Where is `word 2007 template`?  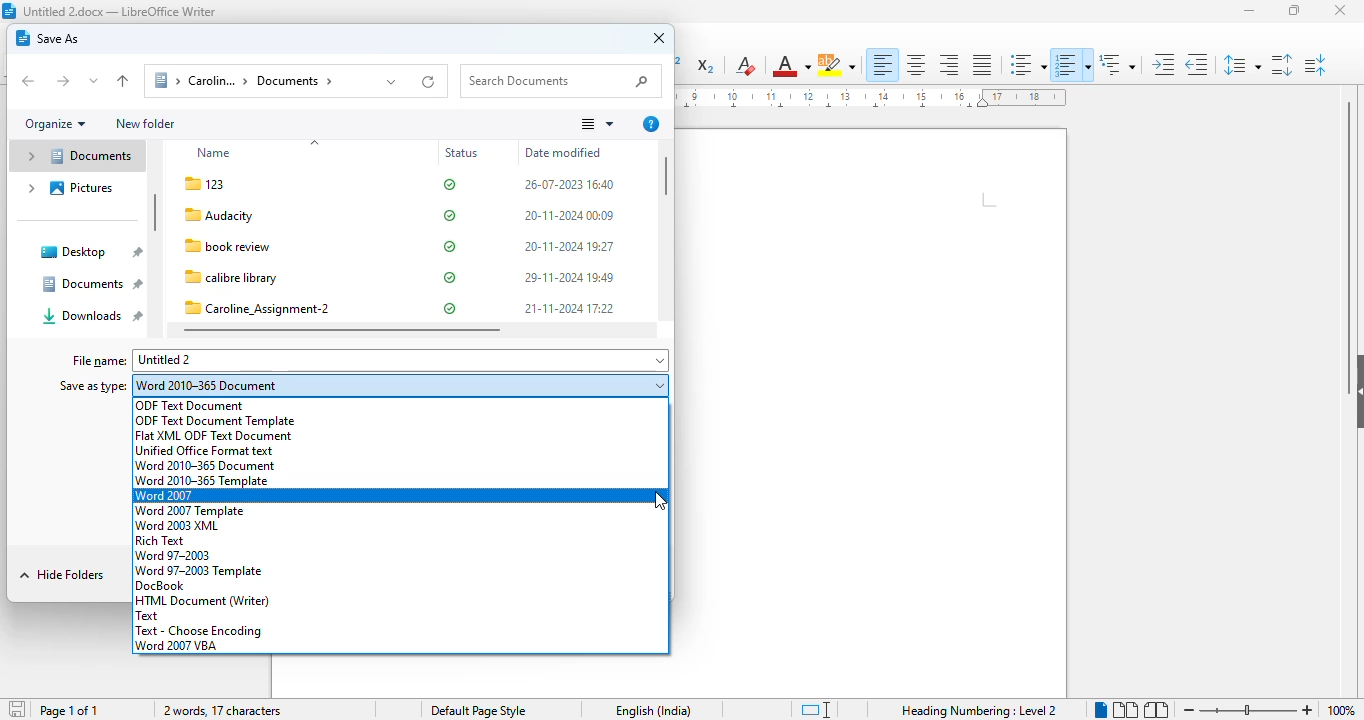 word 2007 template is located at coordinates (193, 512).